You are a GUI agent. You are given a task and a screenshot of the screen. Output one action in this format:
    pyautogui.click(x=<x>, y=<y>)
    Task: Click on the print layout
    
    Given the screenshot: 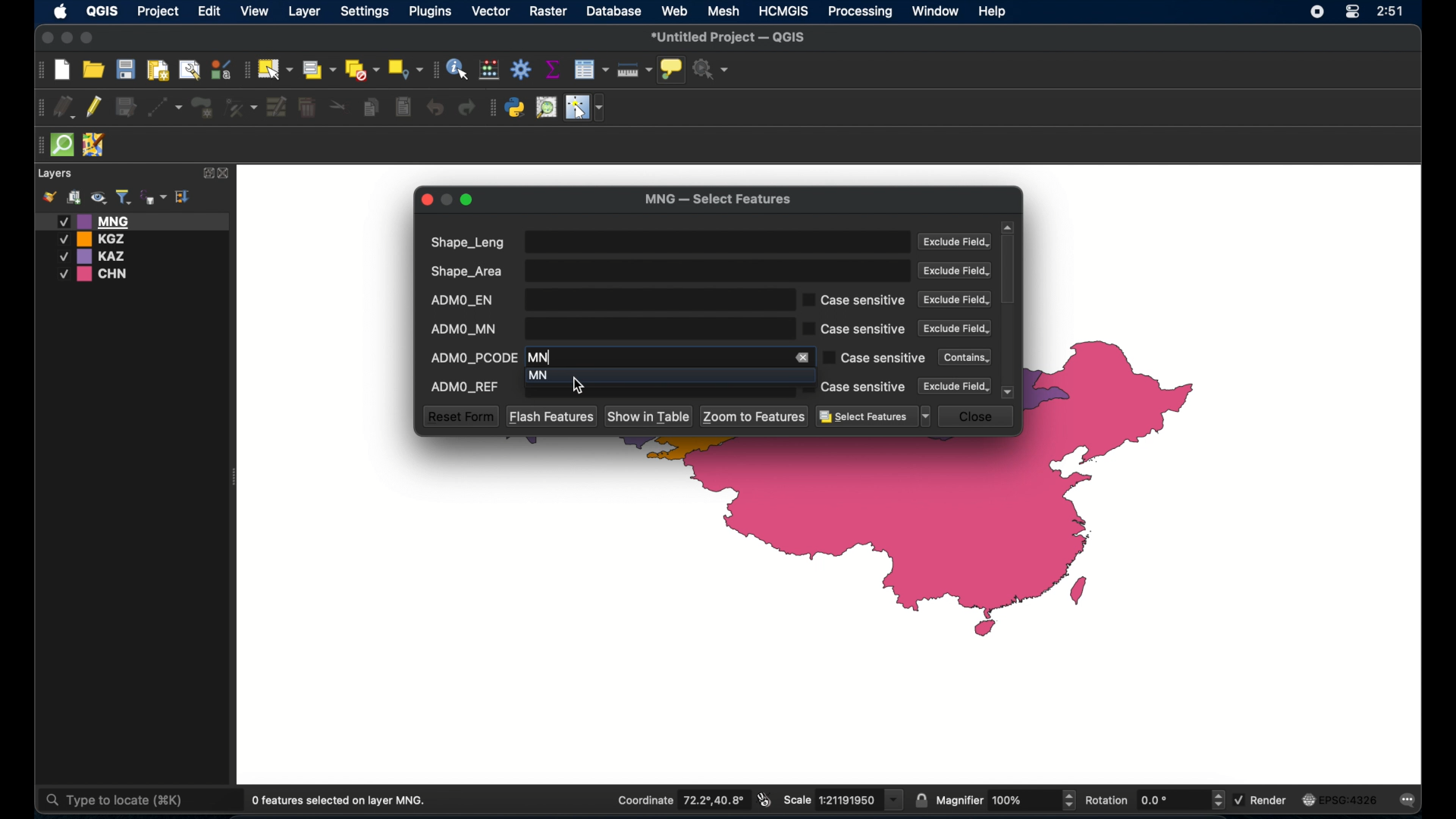 What is the action you would take?
    pyautogui.click(x=157, y=69)
    